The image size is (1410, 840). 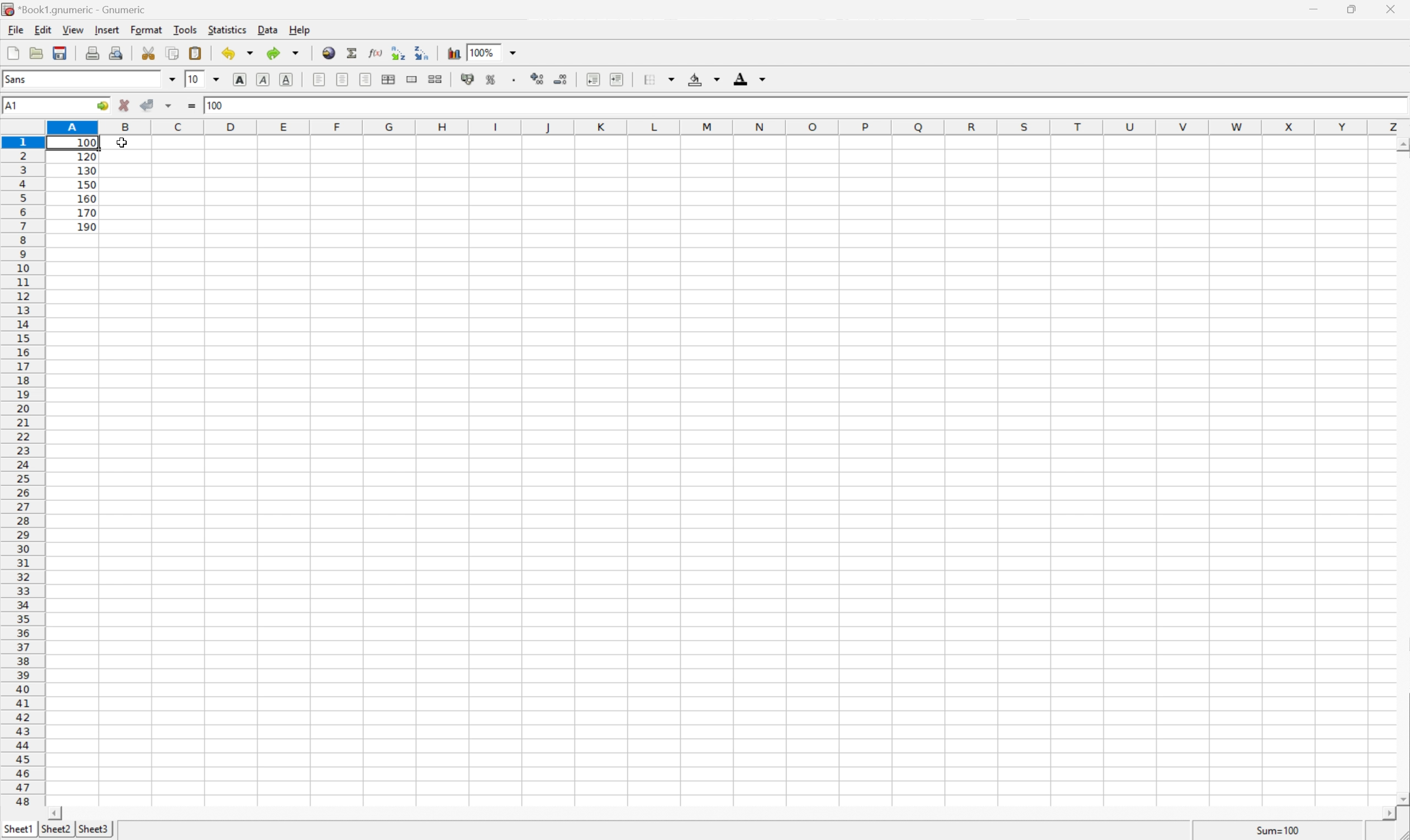 I want to click on Cut selection, so click(x=148, y=53).